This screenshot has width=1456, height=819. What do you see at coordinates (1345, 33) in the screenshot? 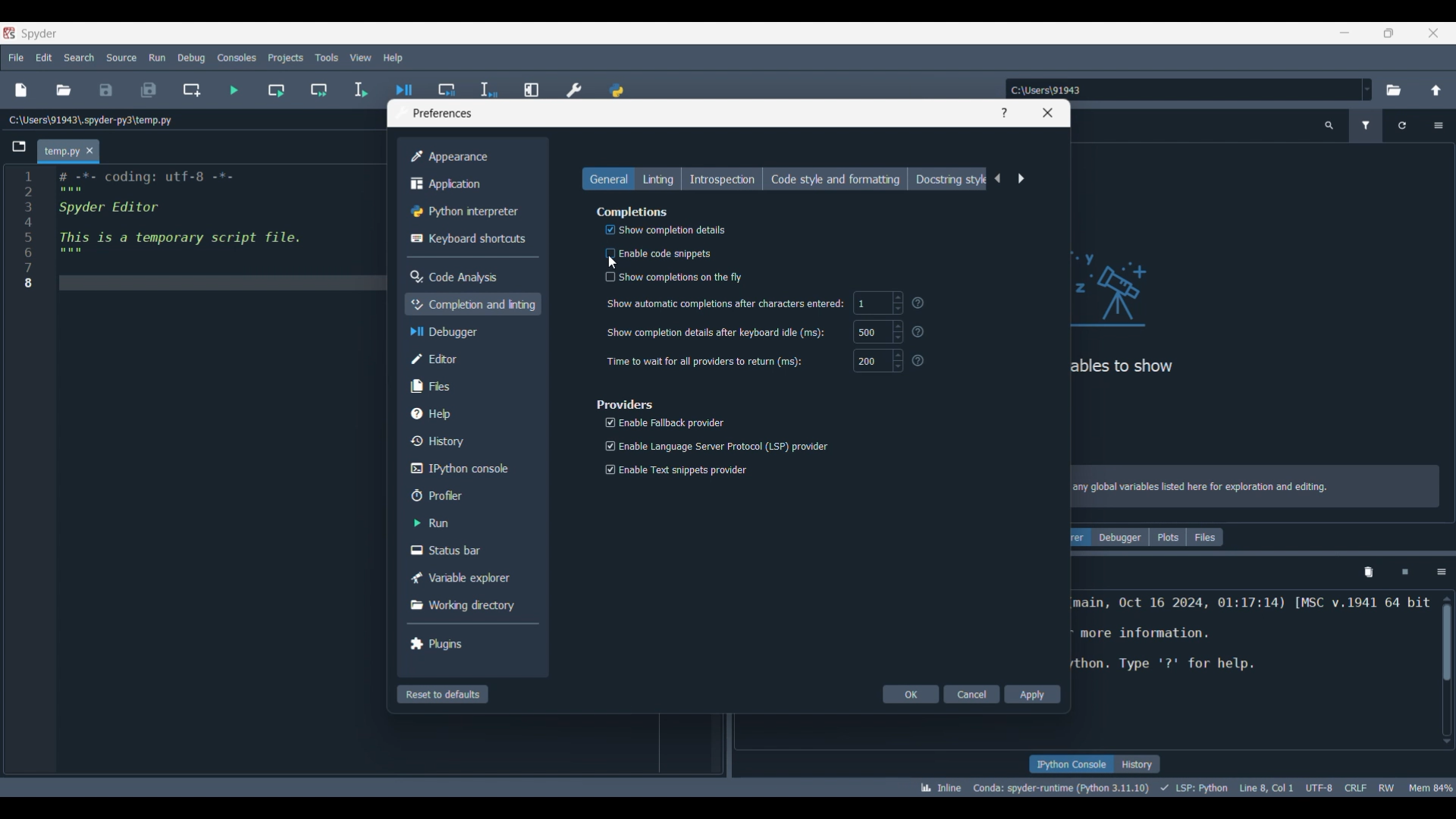
I see `Minimize` at bounding box center [1345, 33].